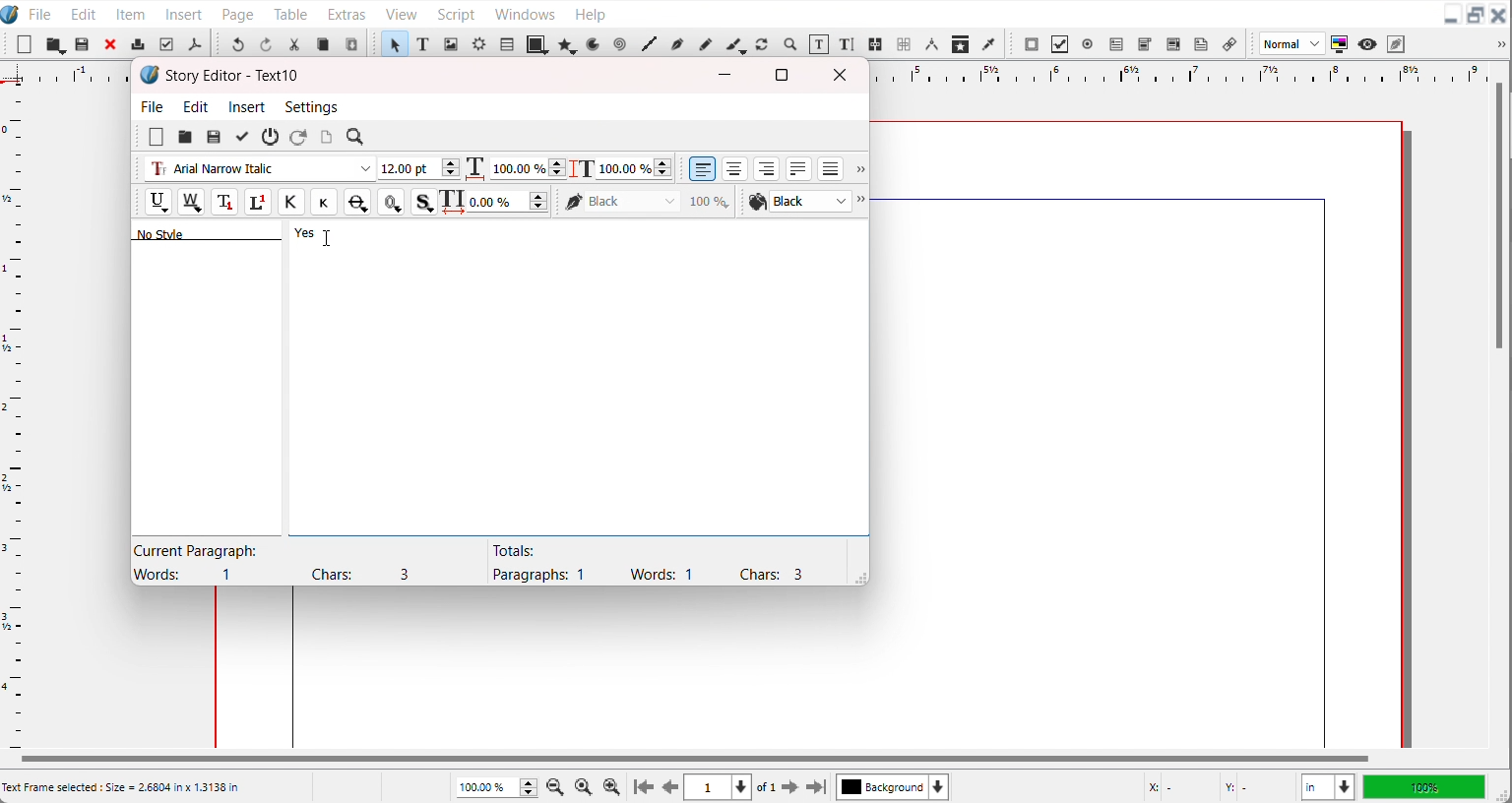 Image resolution: width=1512 pixels, height=803 pixels. Describe the element at coordinates (1499, 217) in the screenshot. I see `Vertical scroll bar` at that location.